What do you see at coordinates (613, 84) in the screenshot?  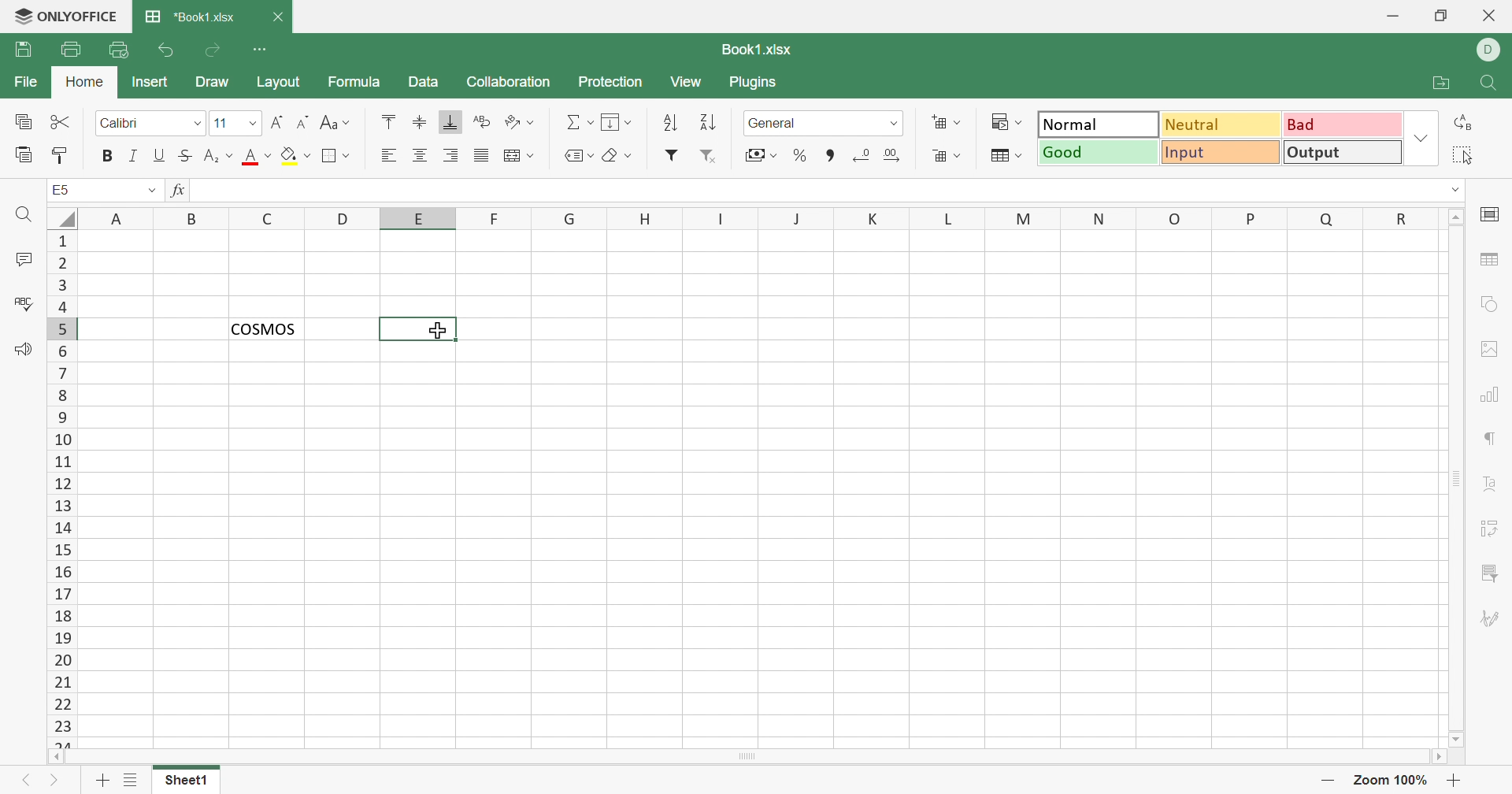 I see `Protection` at bounding box center [613, 84].